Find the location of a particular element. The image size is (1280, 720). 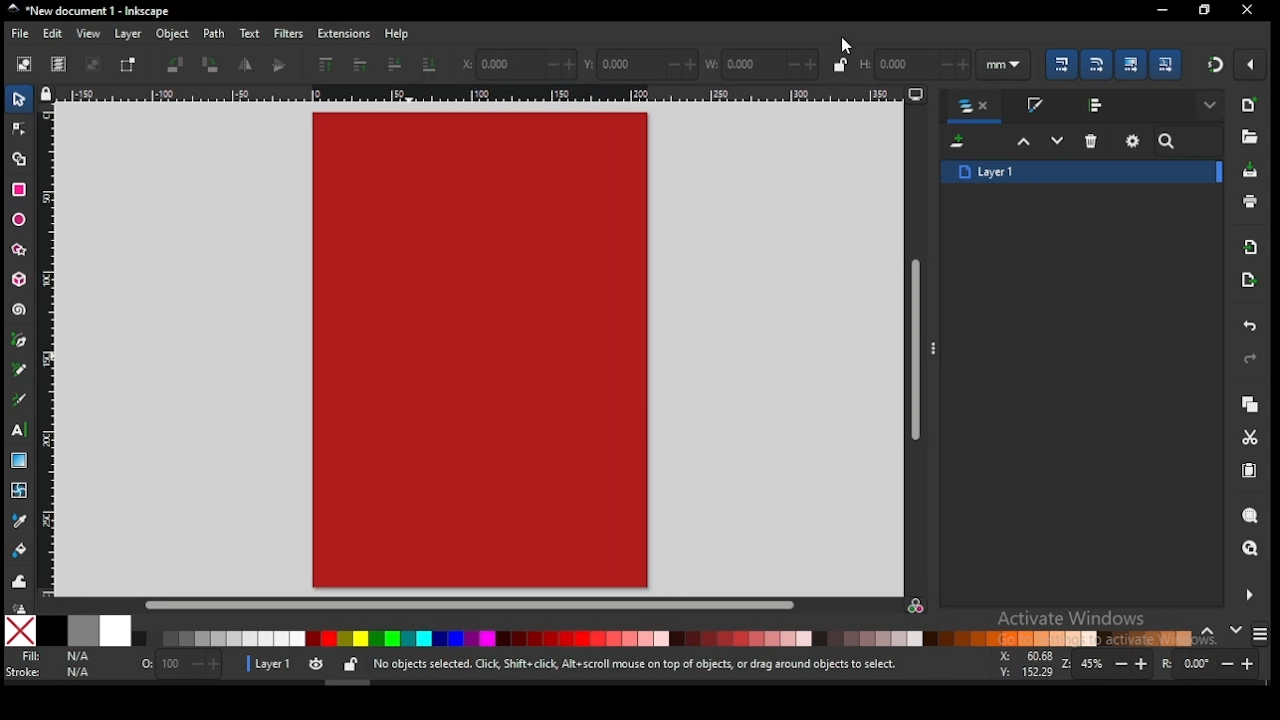

color modes is located at coordinates (1260, 634).